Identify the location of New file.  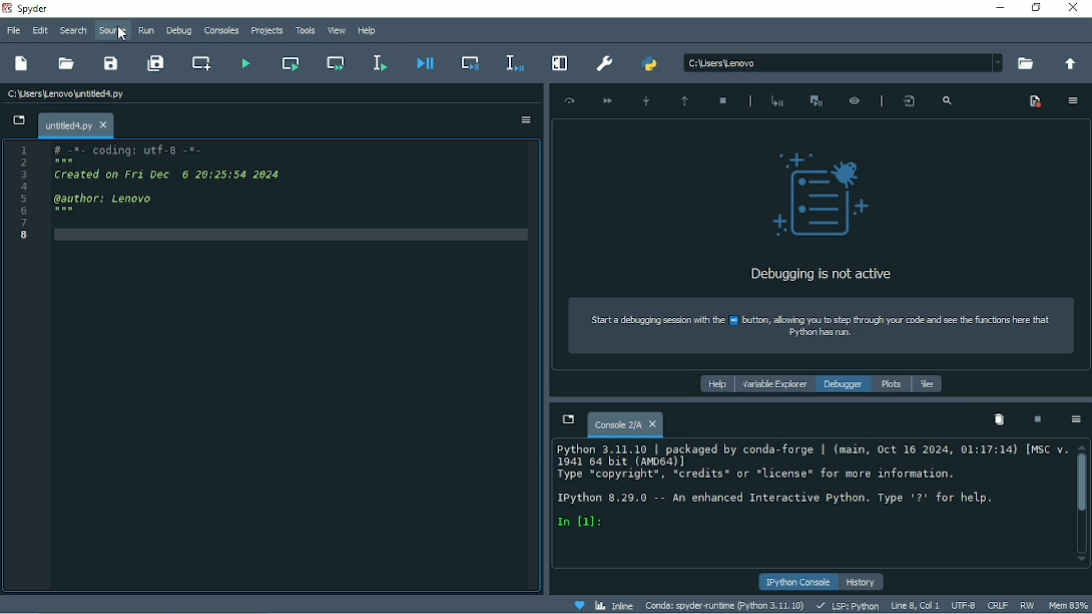
(22, 64).